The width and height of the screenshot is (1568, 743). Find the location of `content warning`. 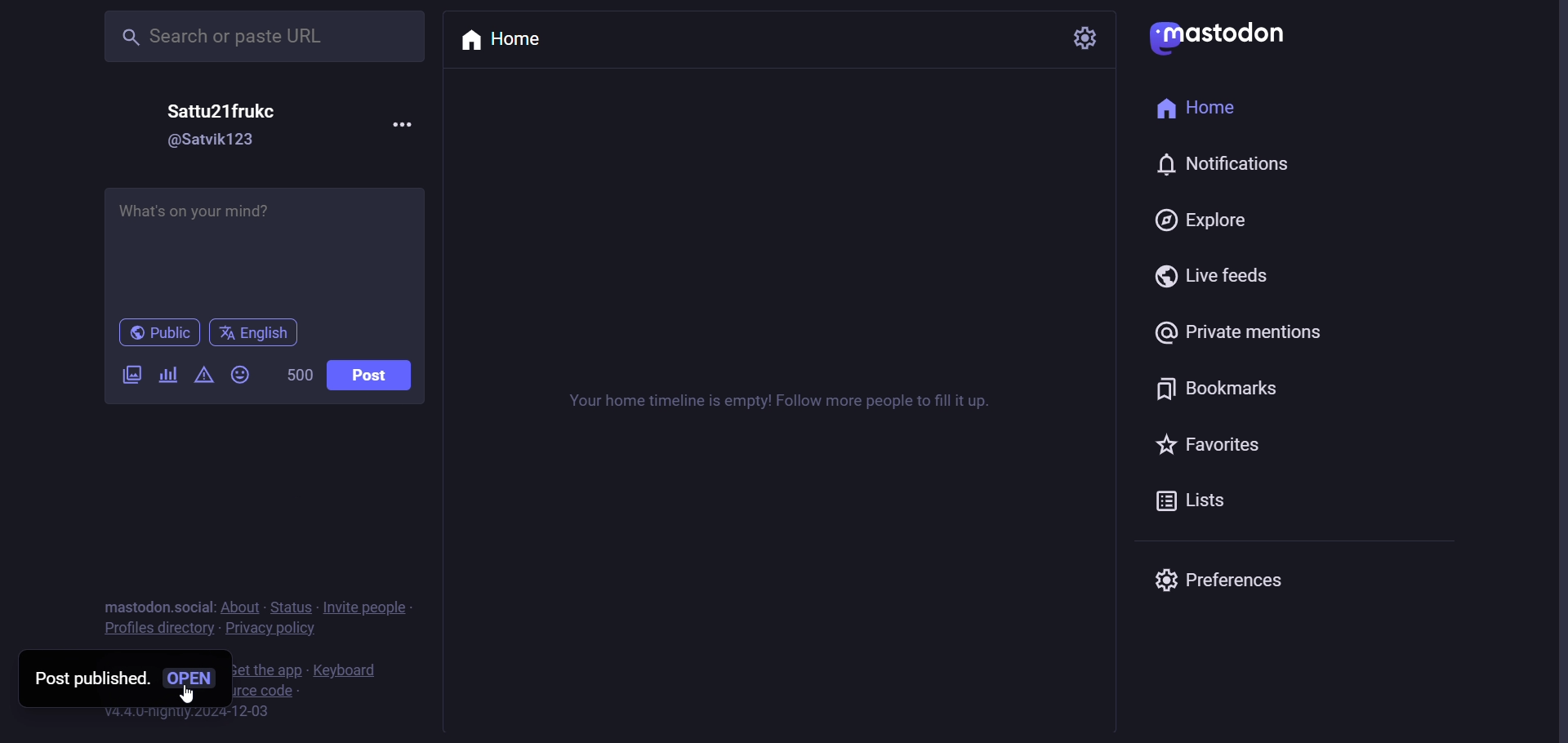

content warning is located at coordinates (201, 378).